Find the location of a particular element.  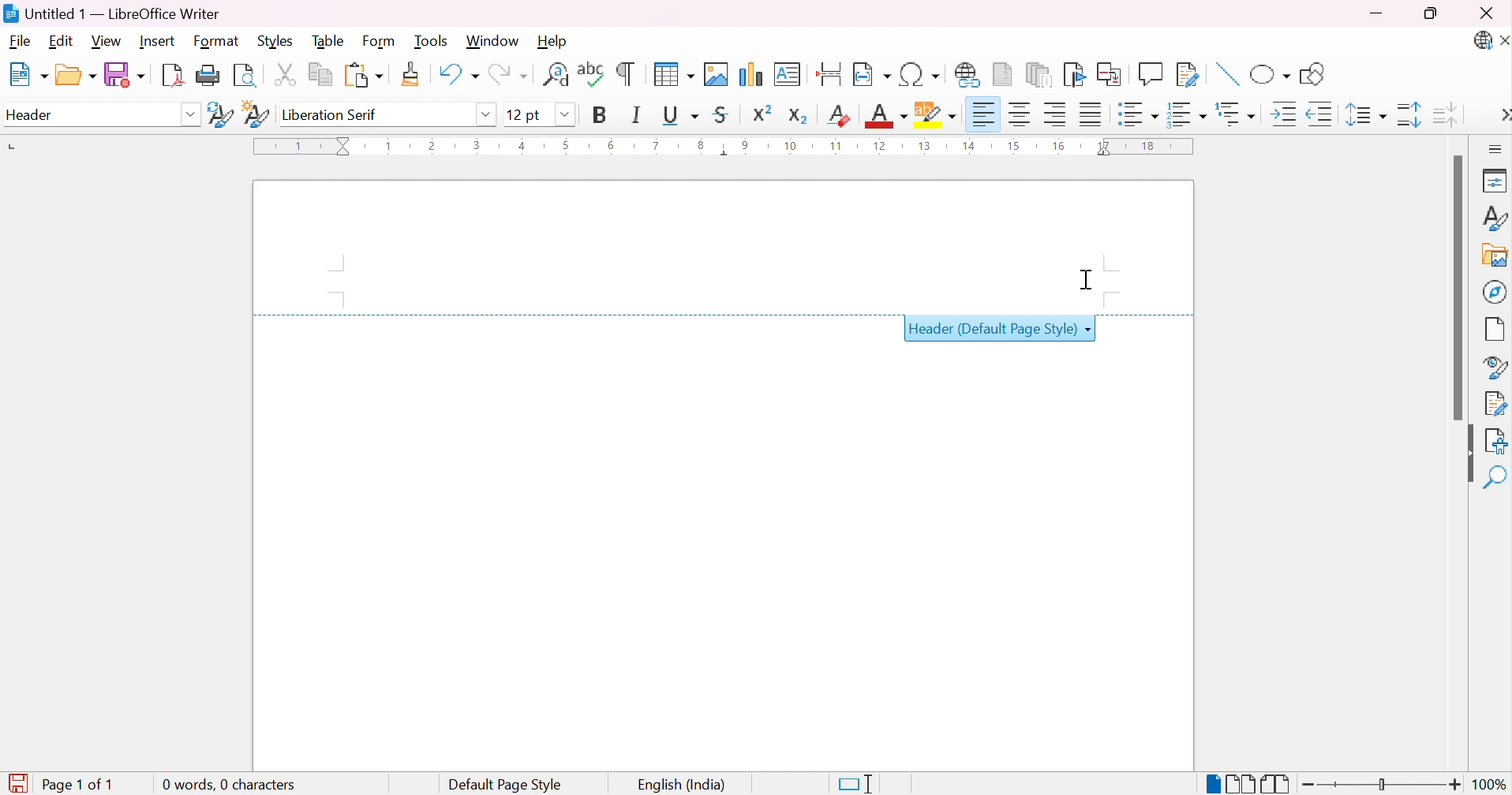

Increase paragraph spacing is located at coordinates (1408, 114).